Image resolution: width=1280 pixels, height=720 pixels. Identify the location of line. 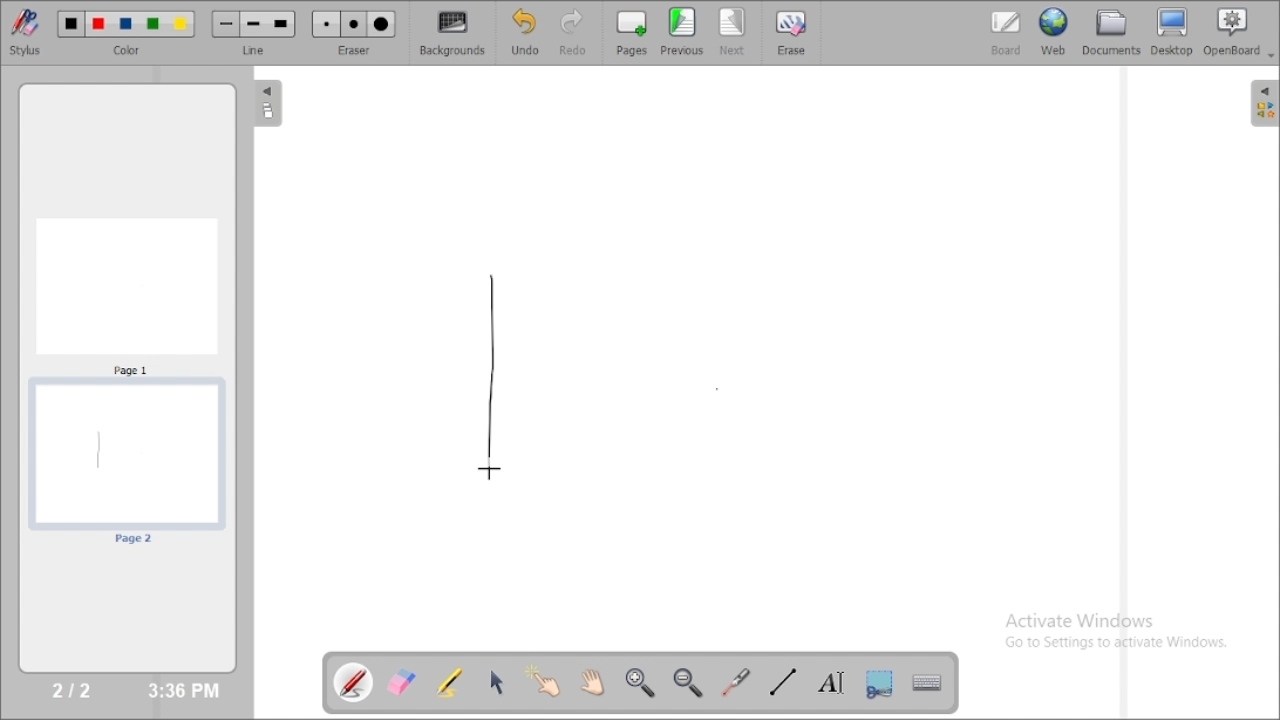
(256, 50).